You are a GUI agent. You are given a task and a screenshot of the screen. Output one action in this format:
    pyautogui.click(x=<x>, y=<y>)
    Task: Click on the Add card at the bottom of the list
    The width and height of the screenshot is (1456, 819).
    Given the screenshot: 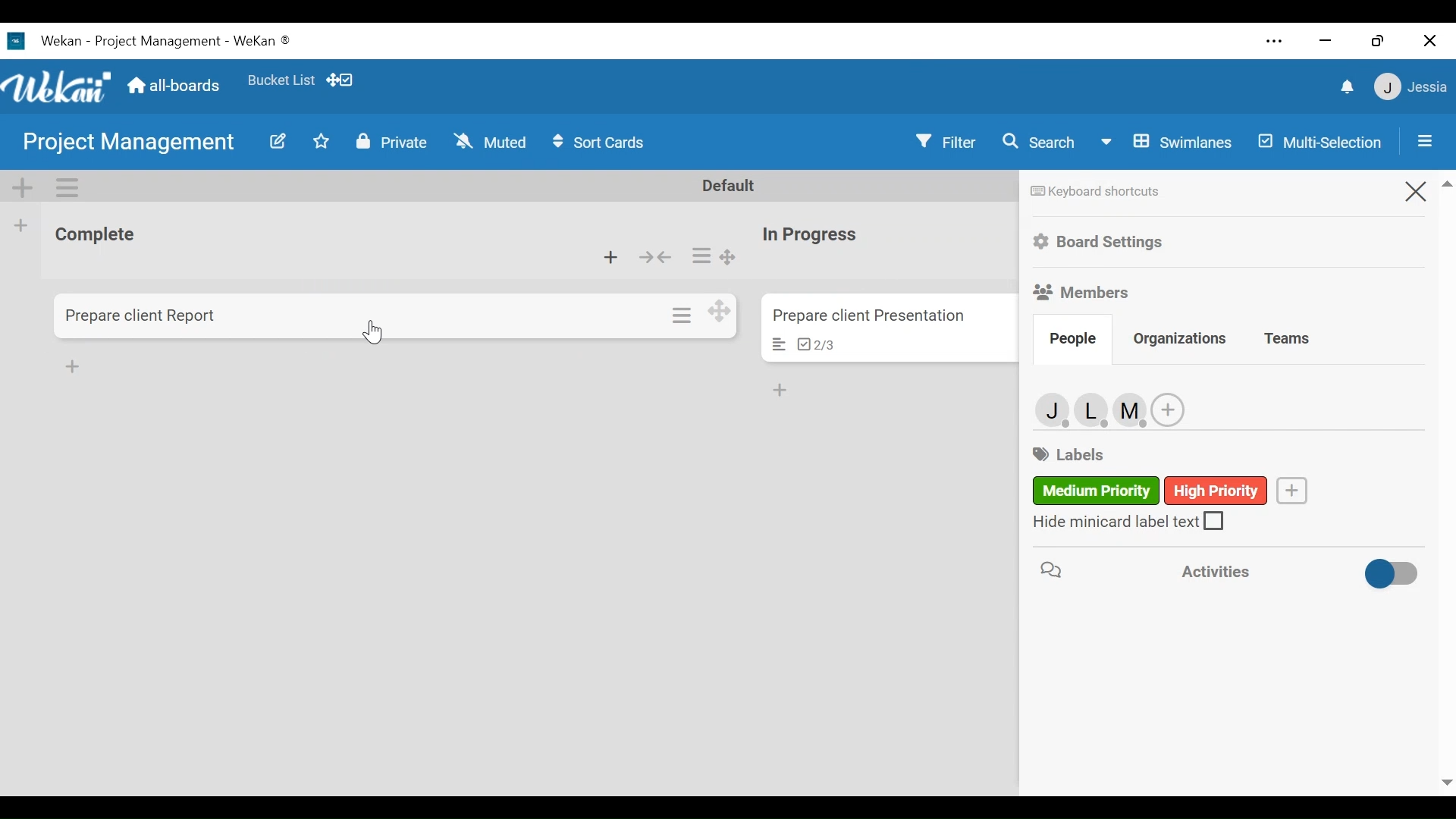 What is the action you would take?
    pyautogui.click(x=780, y=391)
    